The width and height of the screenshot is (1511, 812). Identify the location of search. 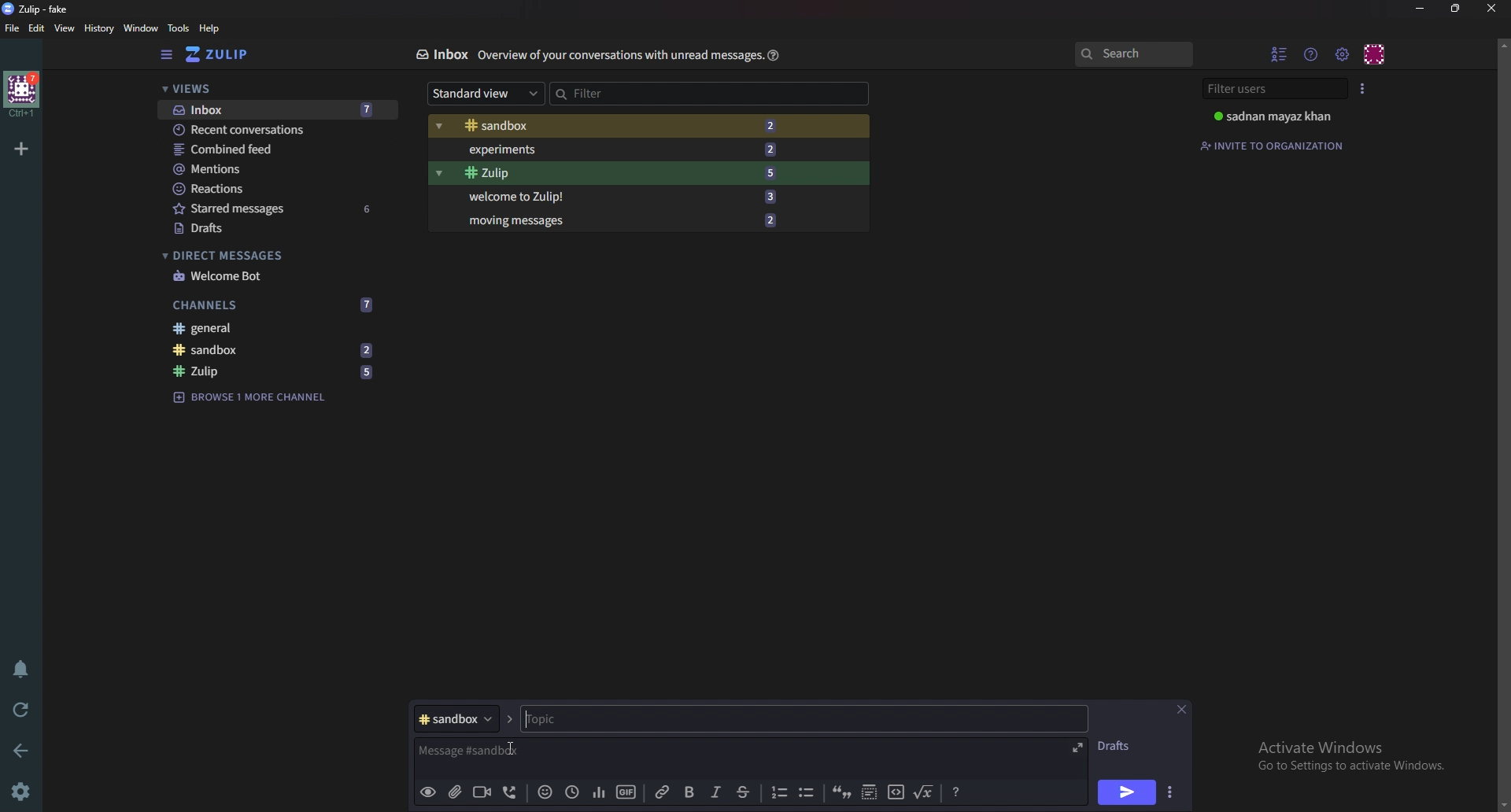
(1132, 54).